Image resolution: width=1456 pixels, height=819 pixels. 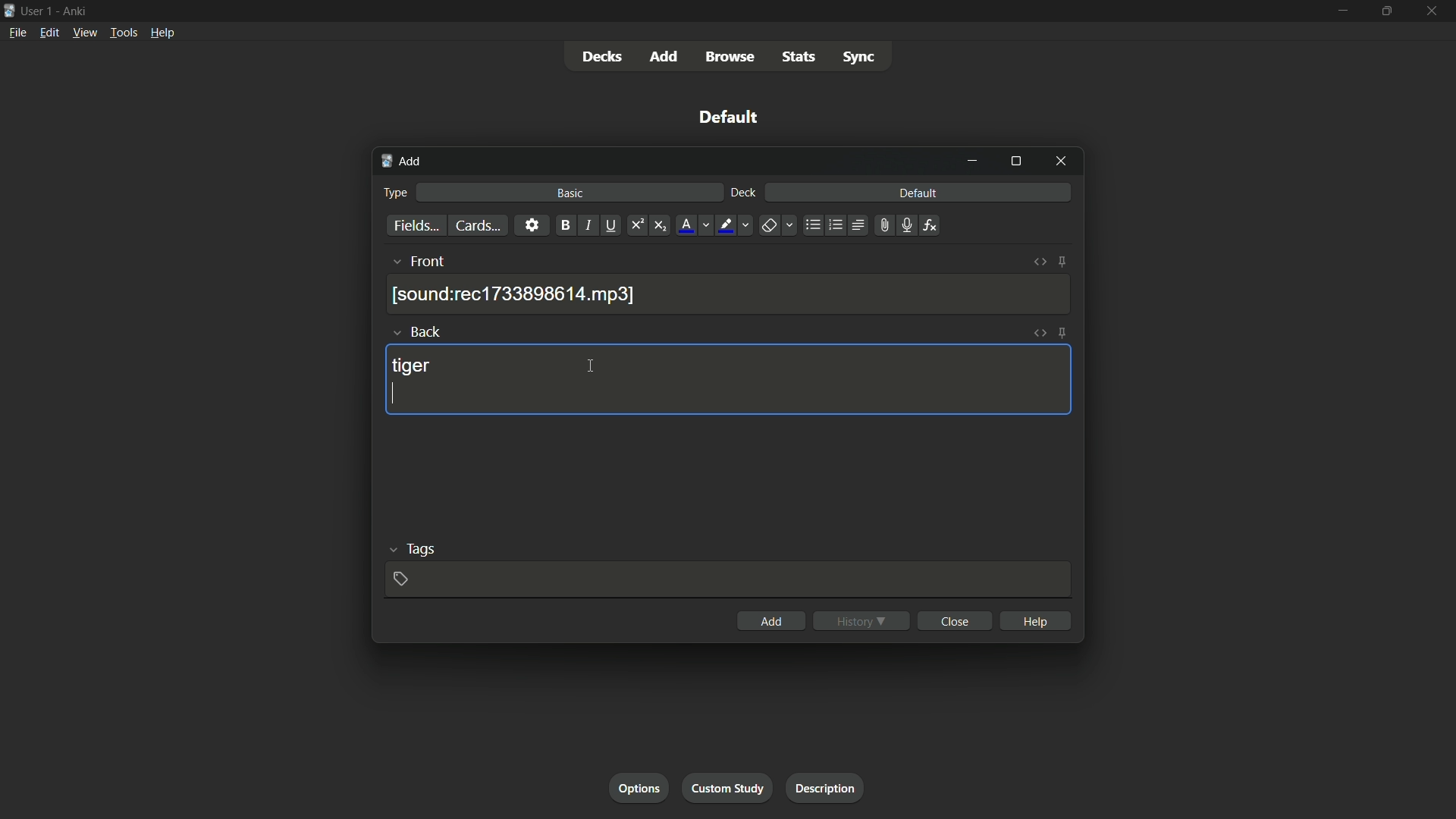 What do you see at coordinates (930, 225) in the screenshot?
I see `equations` at bounding box center [930, 225].